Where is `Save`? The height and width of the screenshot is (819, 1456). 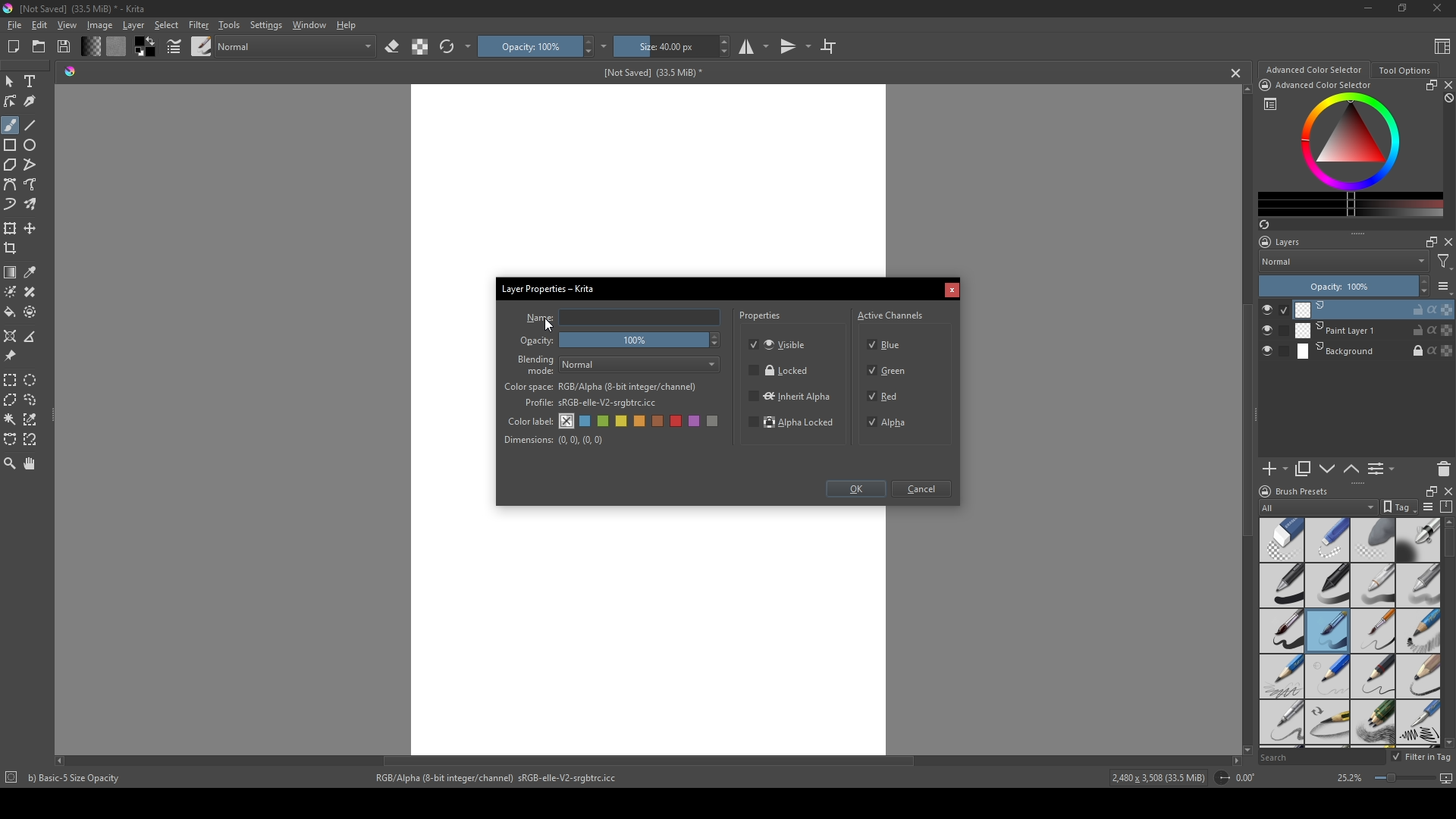 Save is located at coordinates (65, 45).